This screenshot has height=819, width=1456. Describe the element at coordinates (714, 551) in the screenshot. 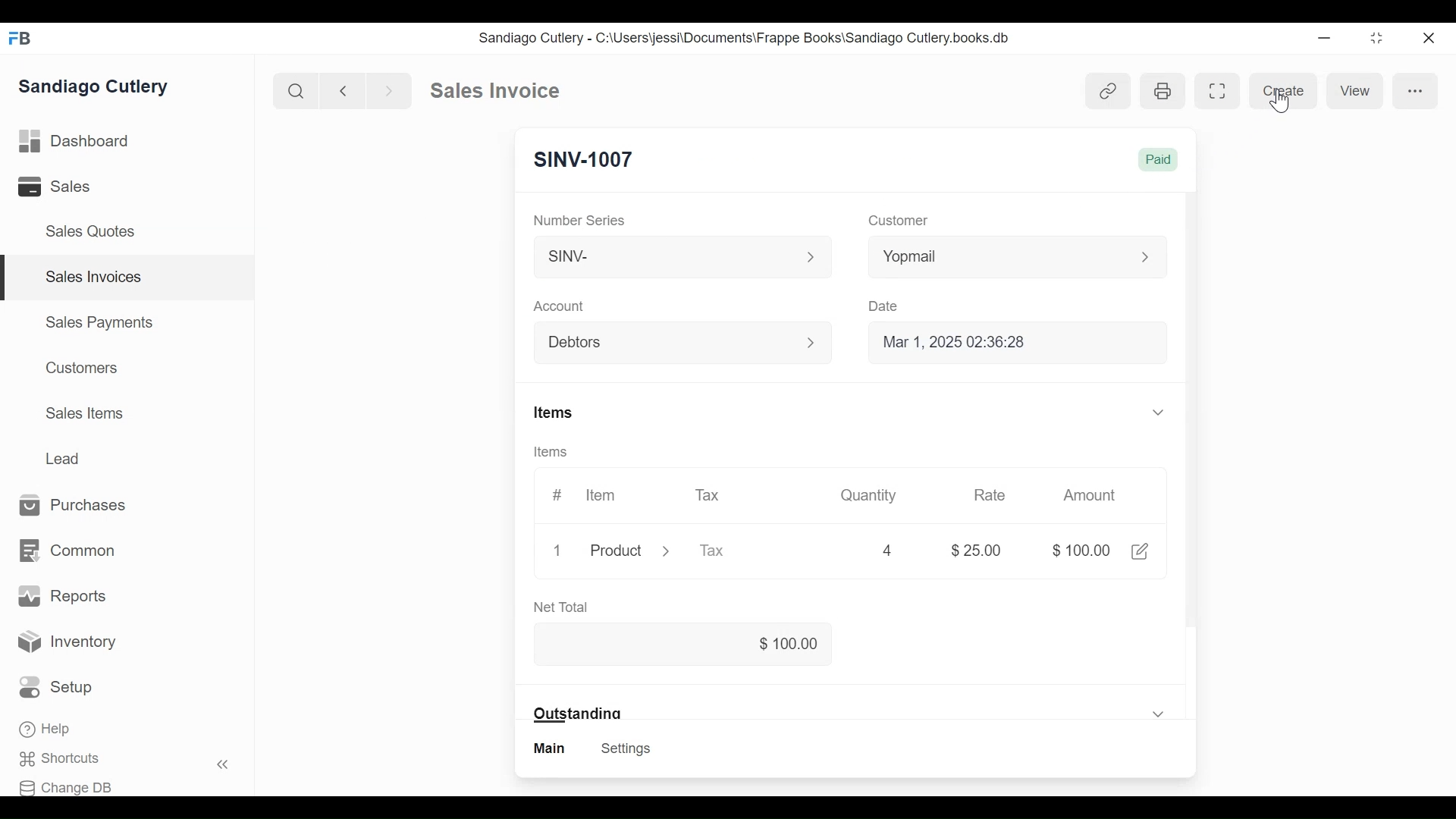

I see `Tax` at that location.